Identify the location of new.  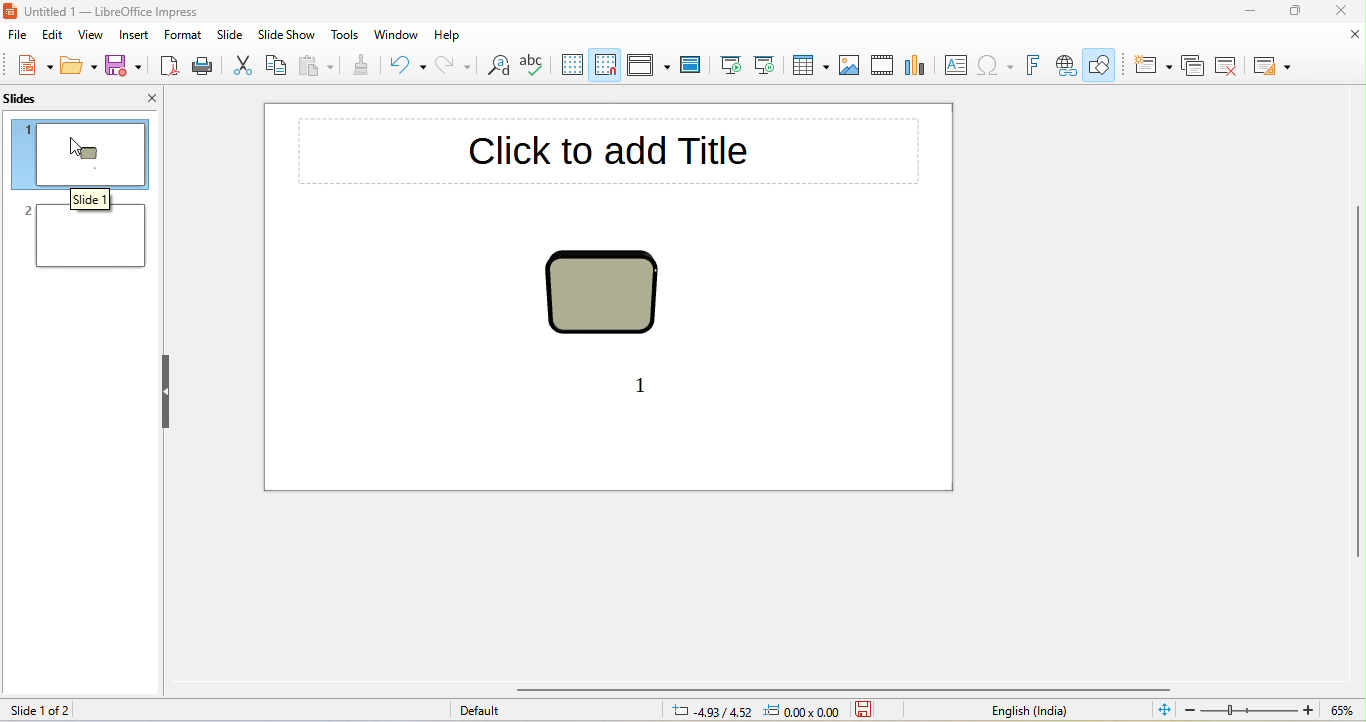
(32, 66).